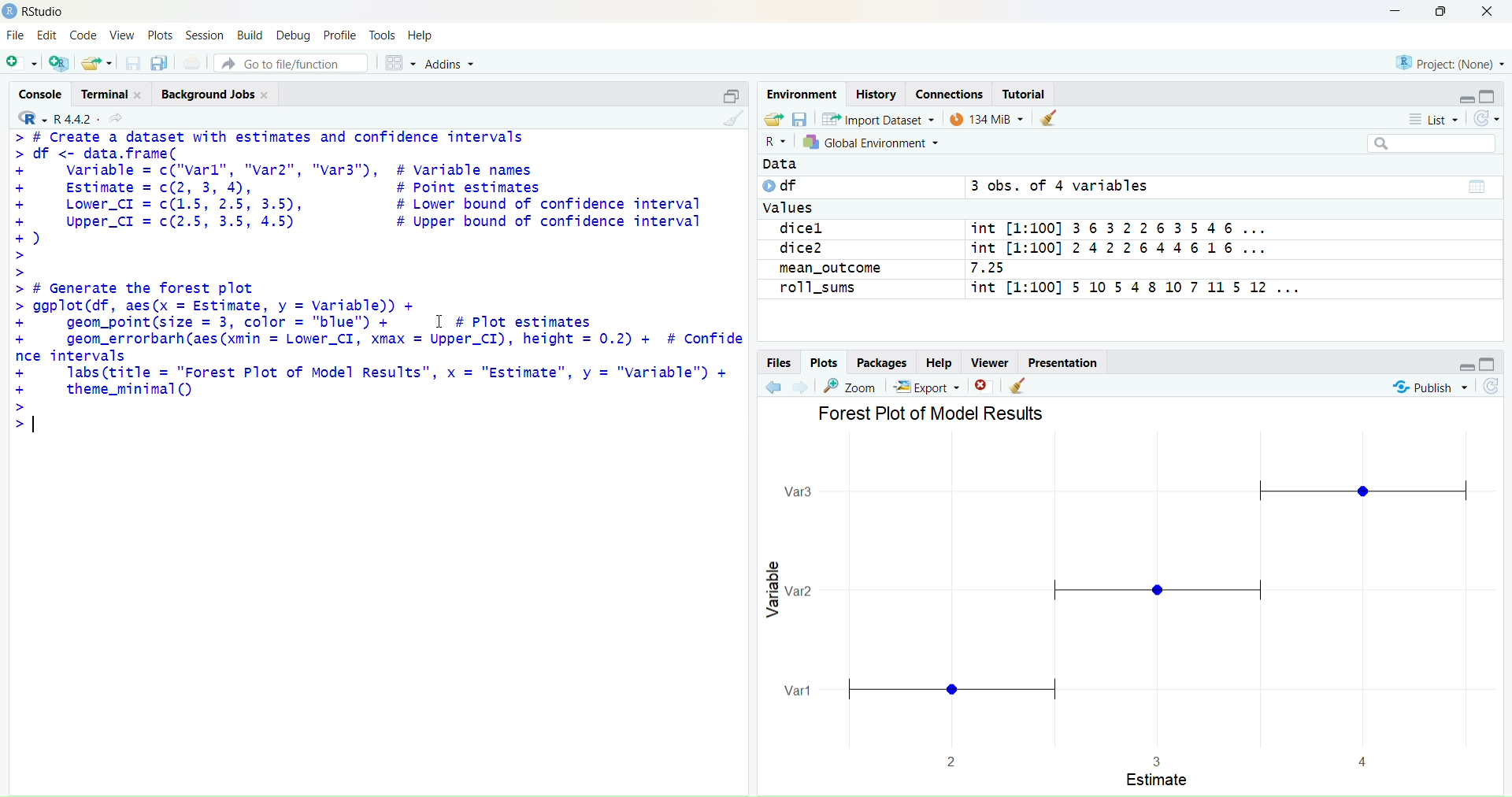 The image size is (1512, 797). What do you see at coordinates (22, 61) in the screenshot?
I see `new file` at bounding box center [22, 61].